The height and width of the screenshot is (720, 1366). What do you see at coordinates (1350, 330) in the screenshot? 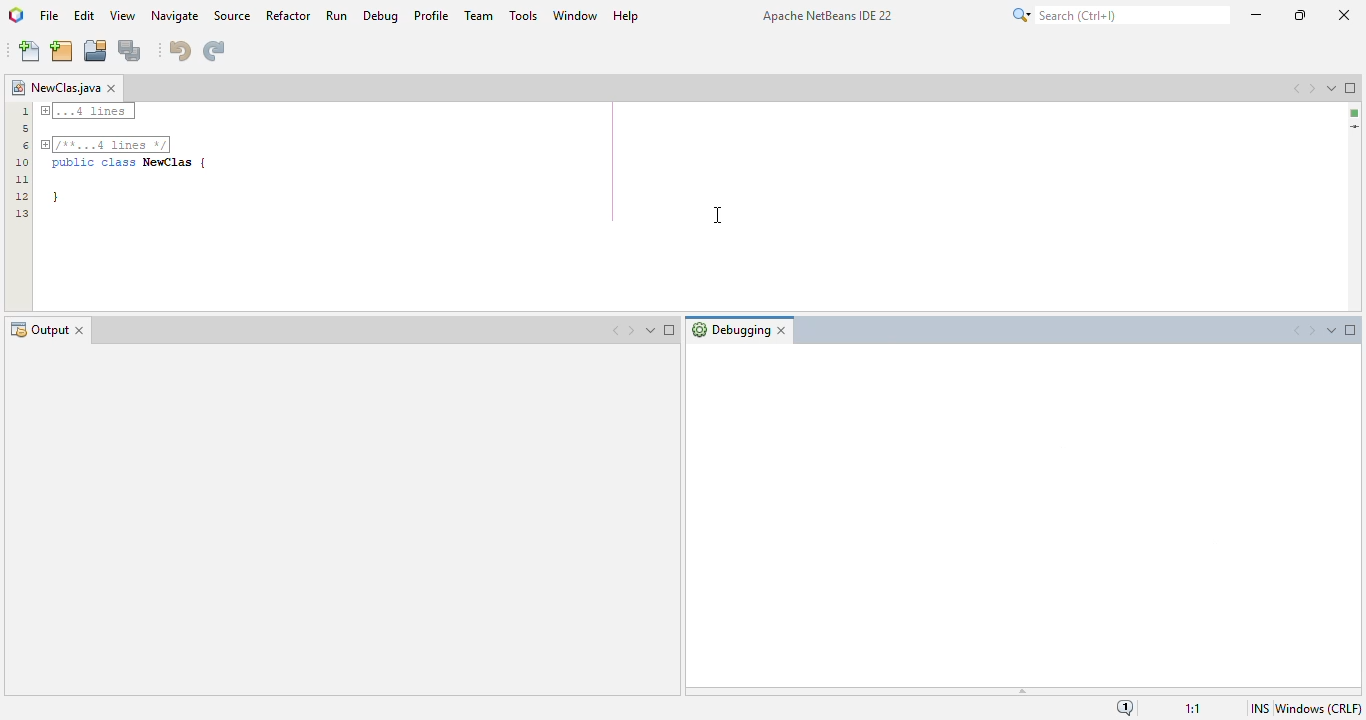
I see `Maximize` at bounding box center [1350, 330].